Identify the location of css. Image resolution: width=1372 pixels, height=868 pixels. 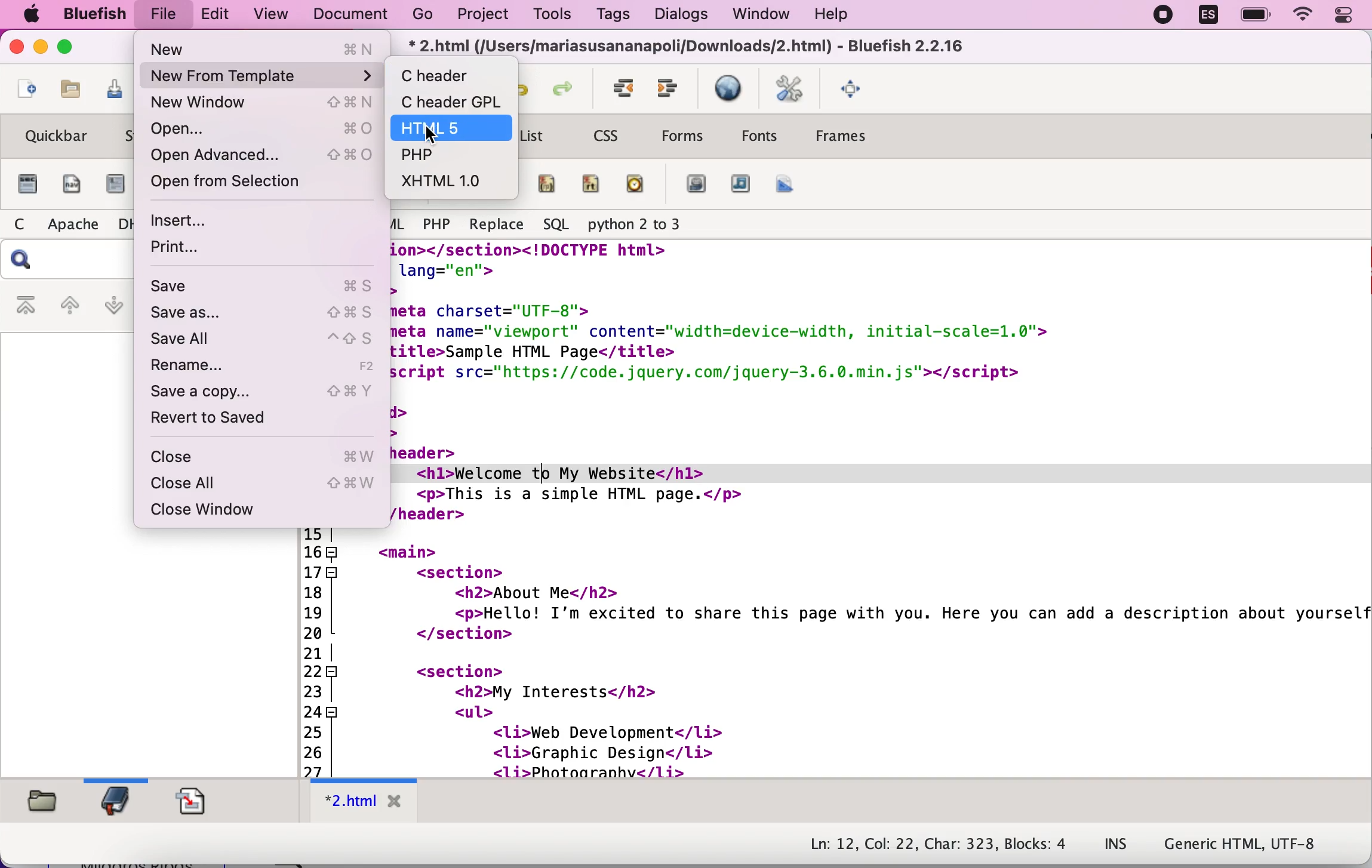
(606, 136).